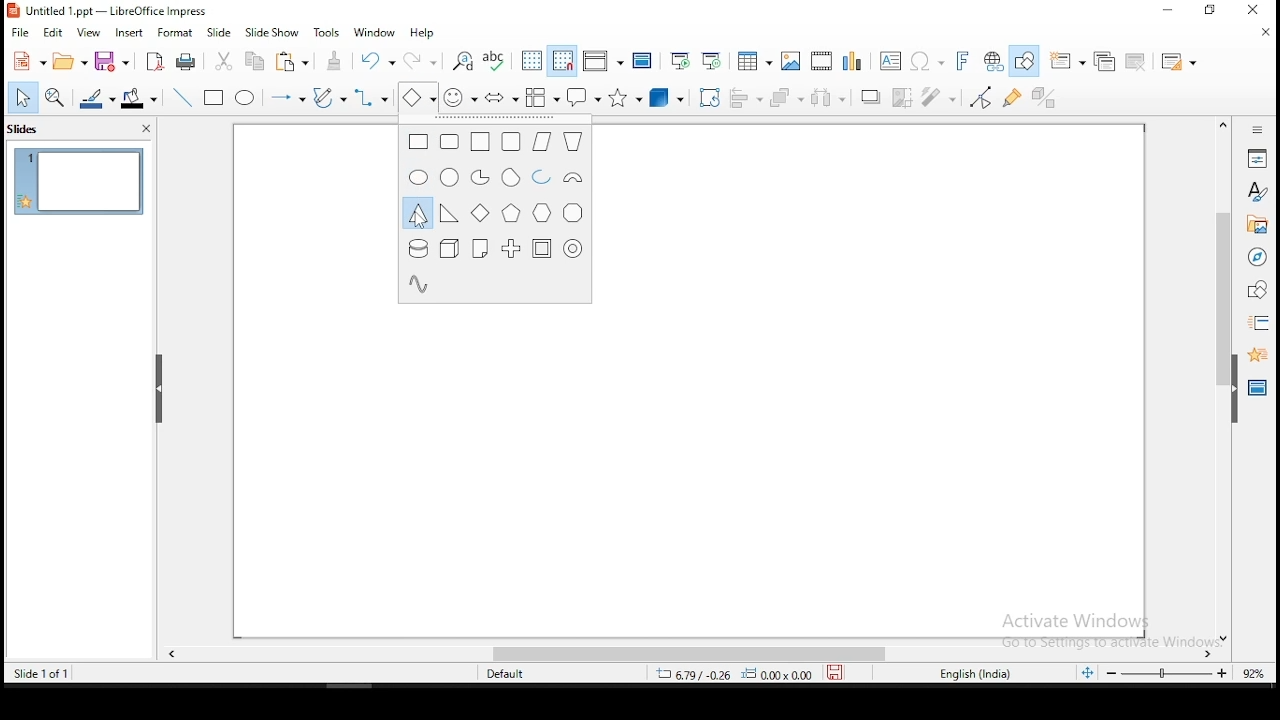 The width and height of the screenshot is (1280, 720). What do you see at coordinates (187, 63) in the screenshot?
I see `print` at bounding box center [187, 63].